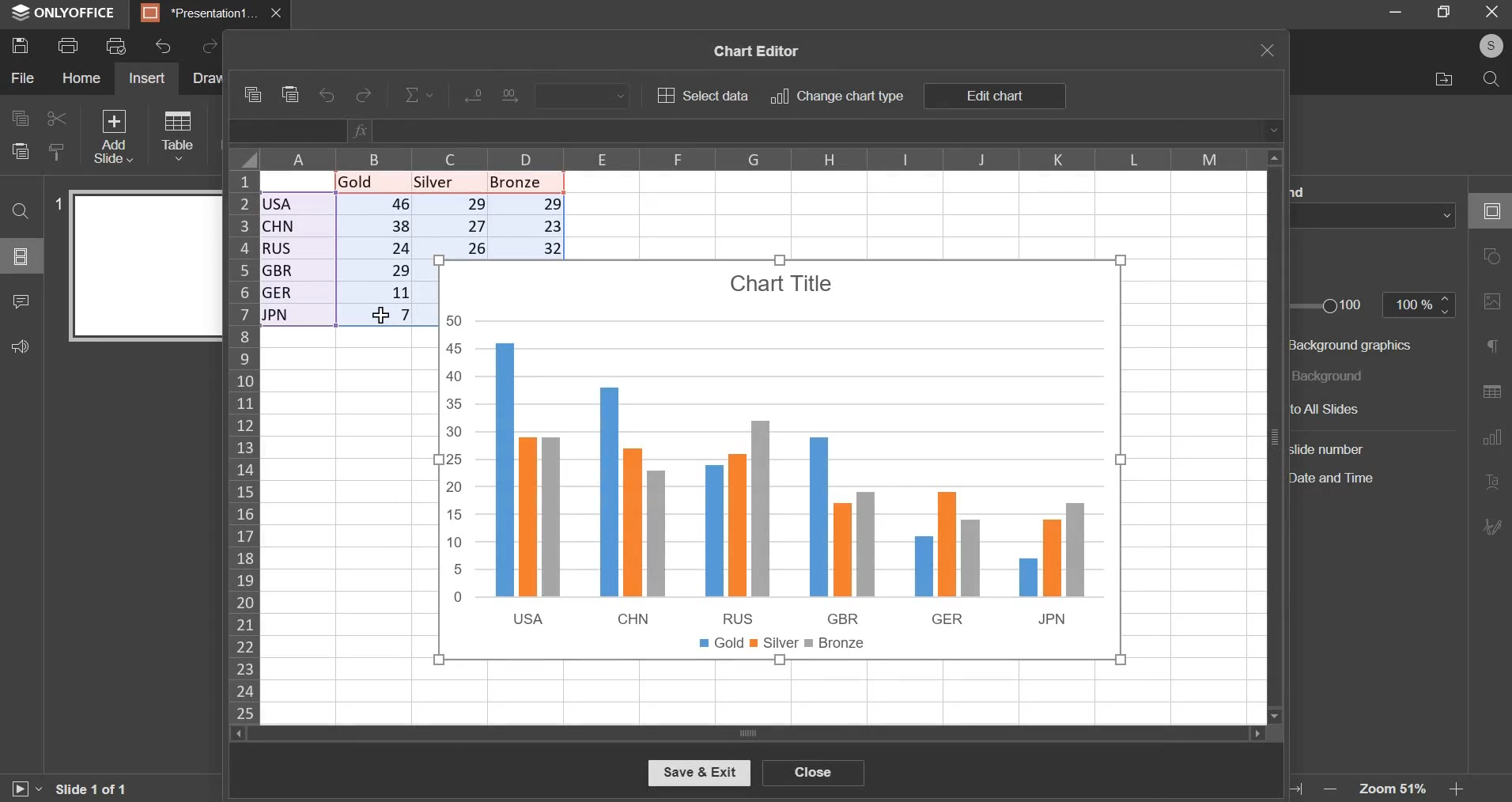  Describe the element at coordinates (780, 487) in the screenshot. I see `chart` at that location.